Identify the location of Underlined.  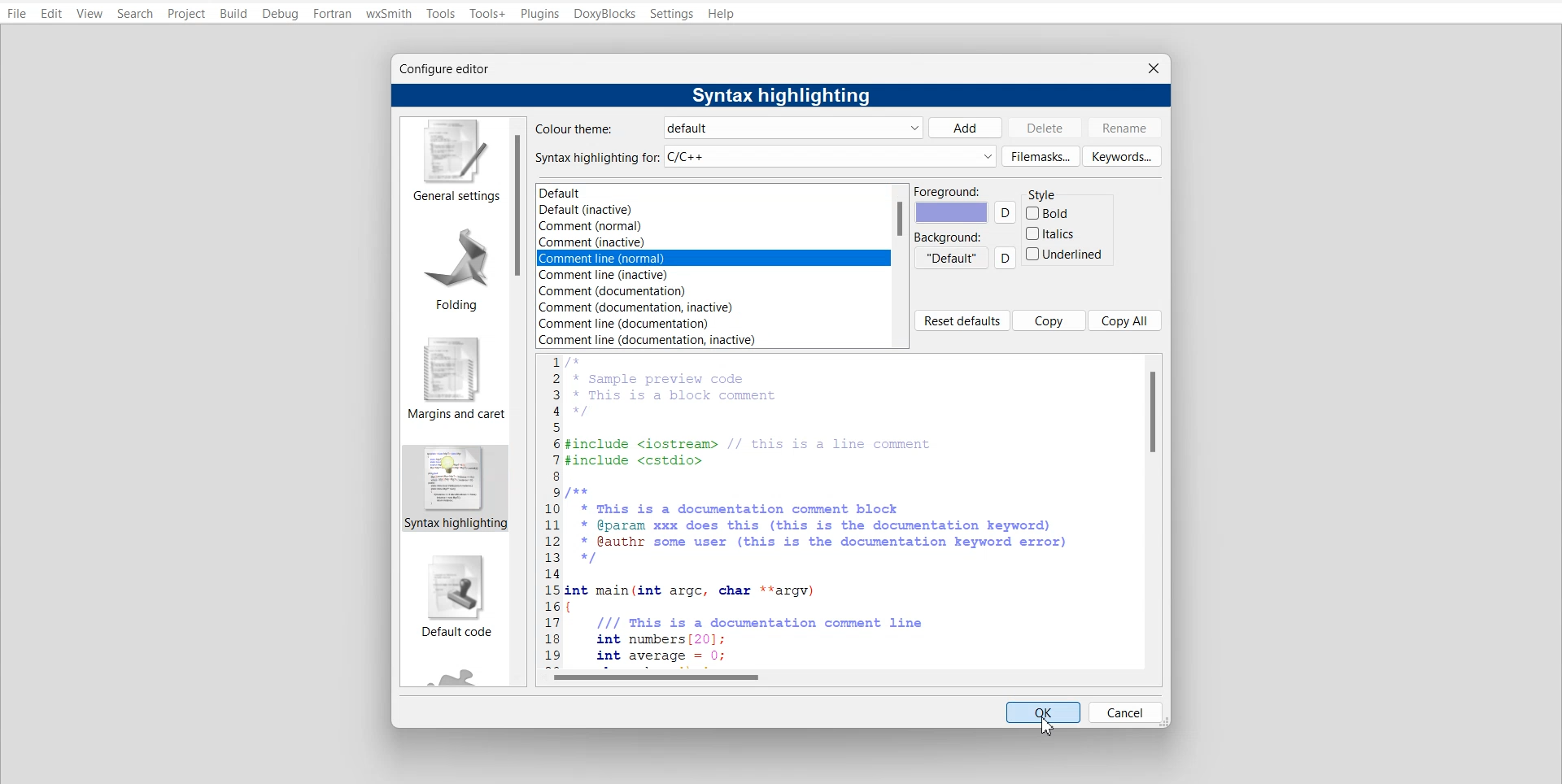
(1063, 254).